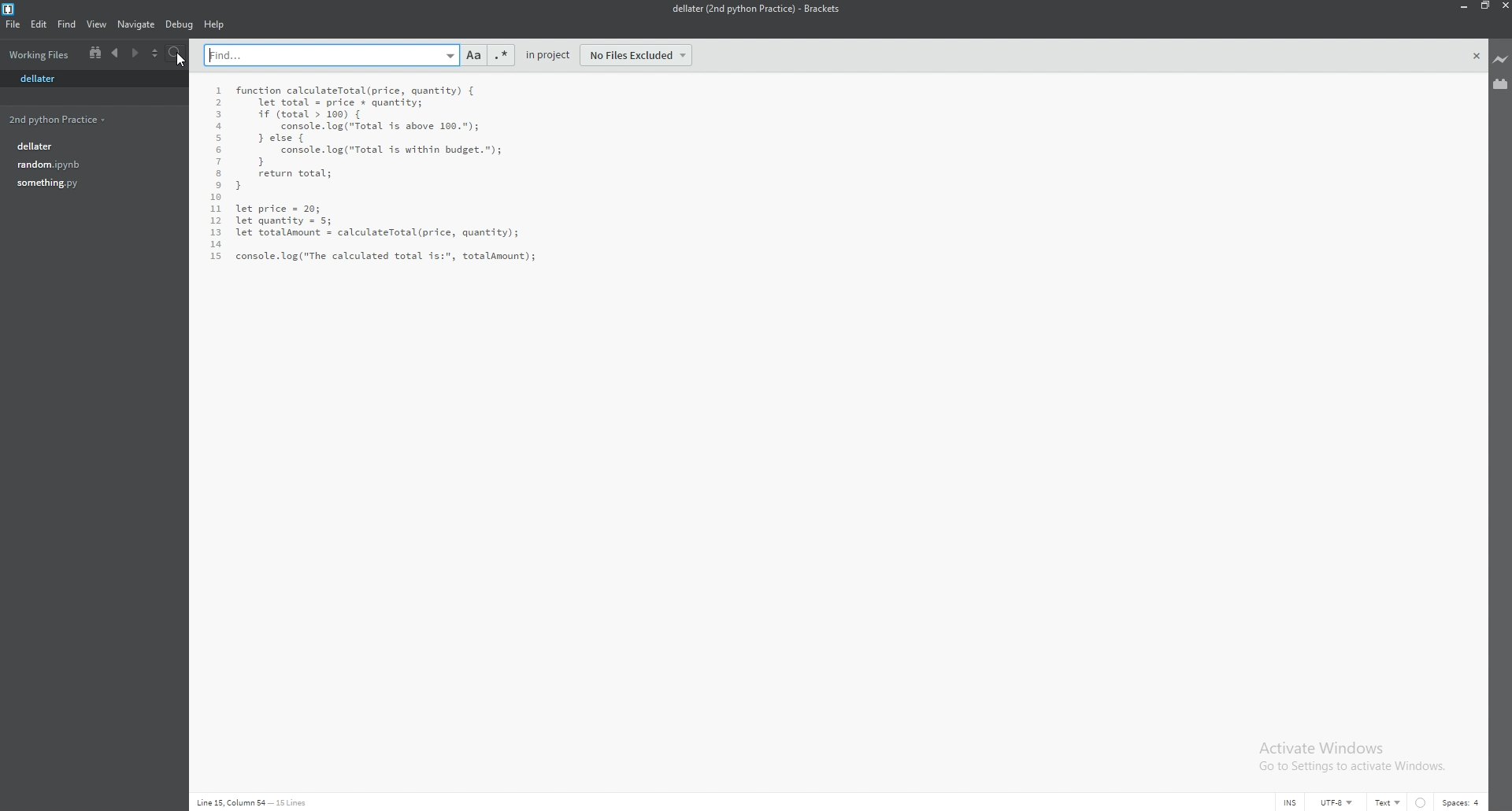 This screenshot has width=1512, height=811. What do you see at coordinates (216, 244) in the screenshot?
I see `14` at bounding box center [216, 244].